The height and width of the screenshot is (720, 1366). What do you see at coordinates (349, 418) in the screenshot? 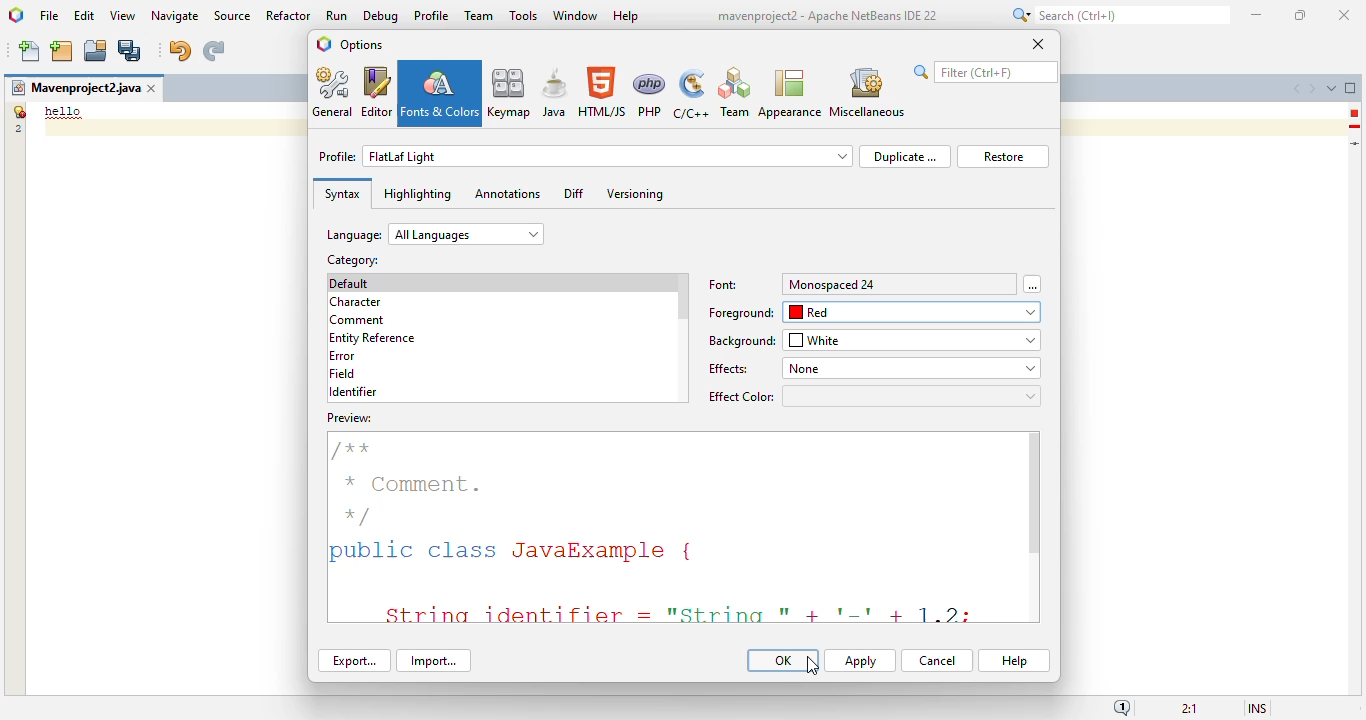
I see `preview` at bounding box center [349, 418].